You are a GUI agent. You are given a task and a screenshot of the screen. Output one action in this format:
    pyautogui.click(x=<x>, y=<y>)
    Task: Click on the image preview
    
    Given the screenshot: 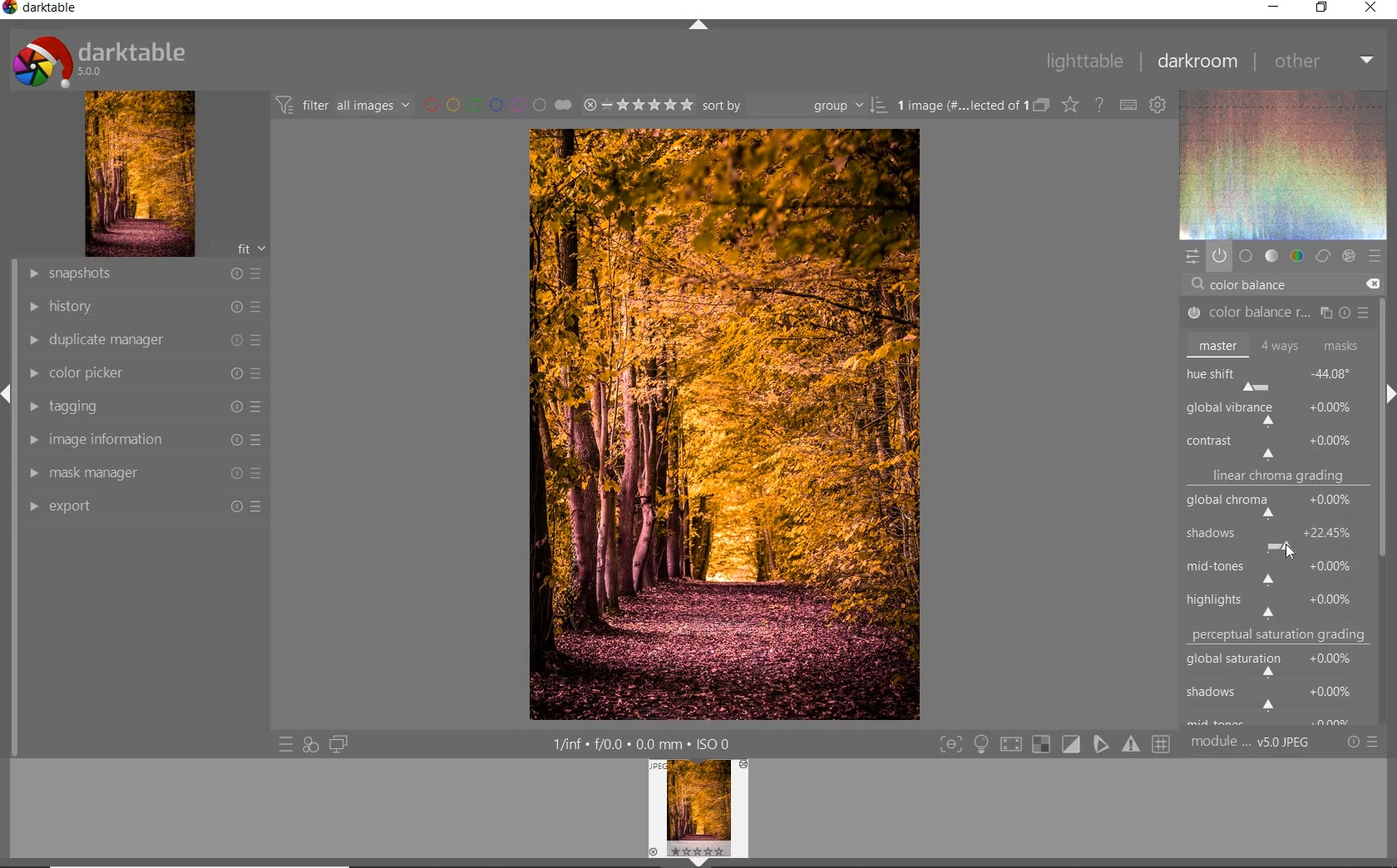 What is the action you would take?
    pyautogui.click(x=698, y=814)
    